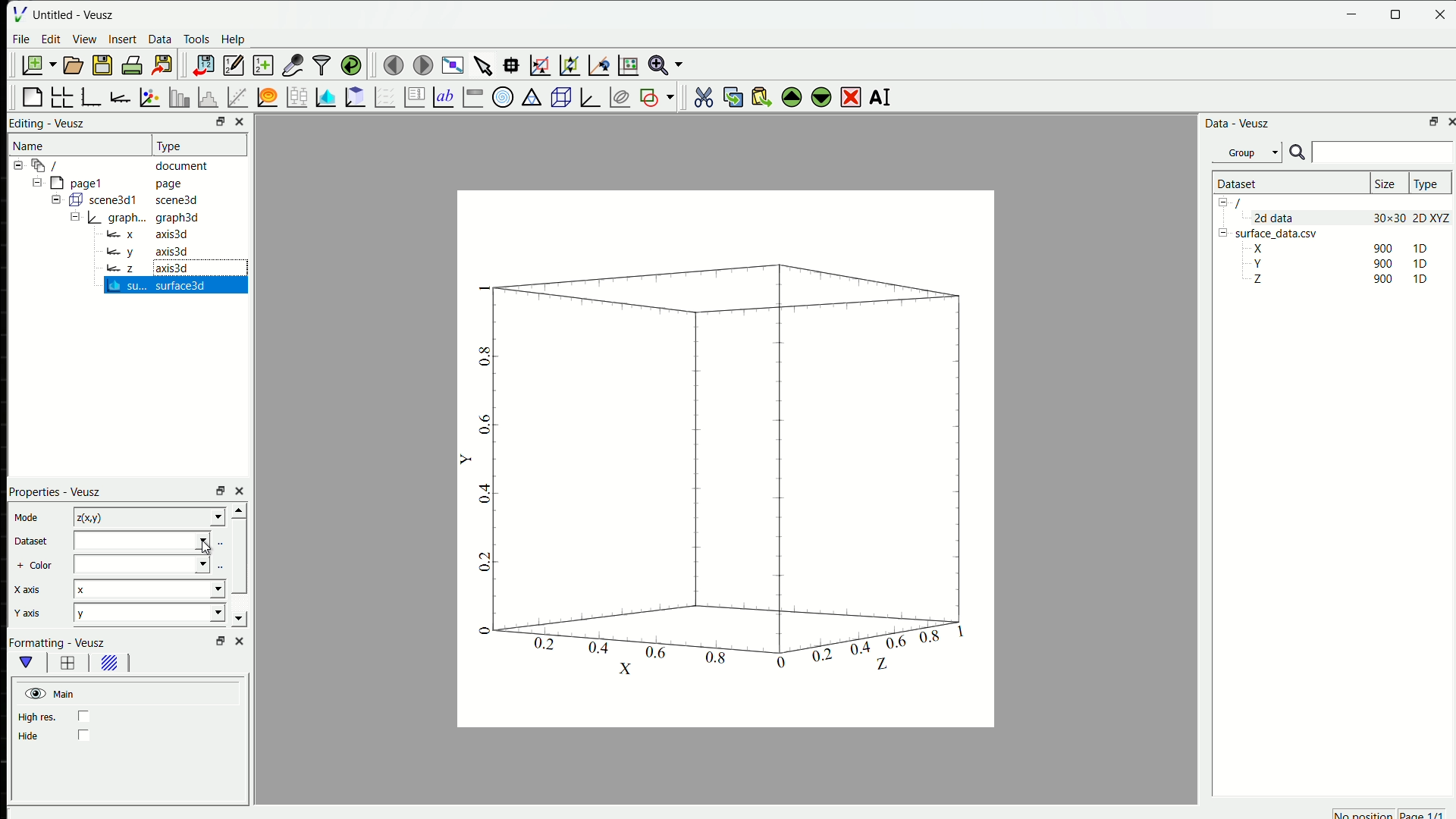  What do you see at coordinates (180, 96) in the screenshot?
I see `plot bar charts ` at bounding box center [180, 96].